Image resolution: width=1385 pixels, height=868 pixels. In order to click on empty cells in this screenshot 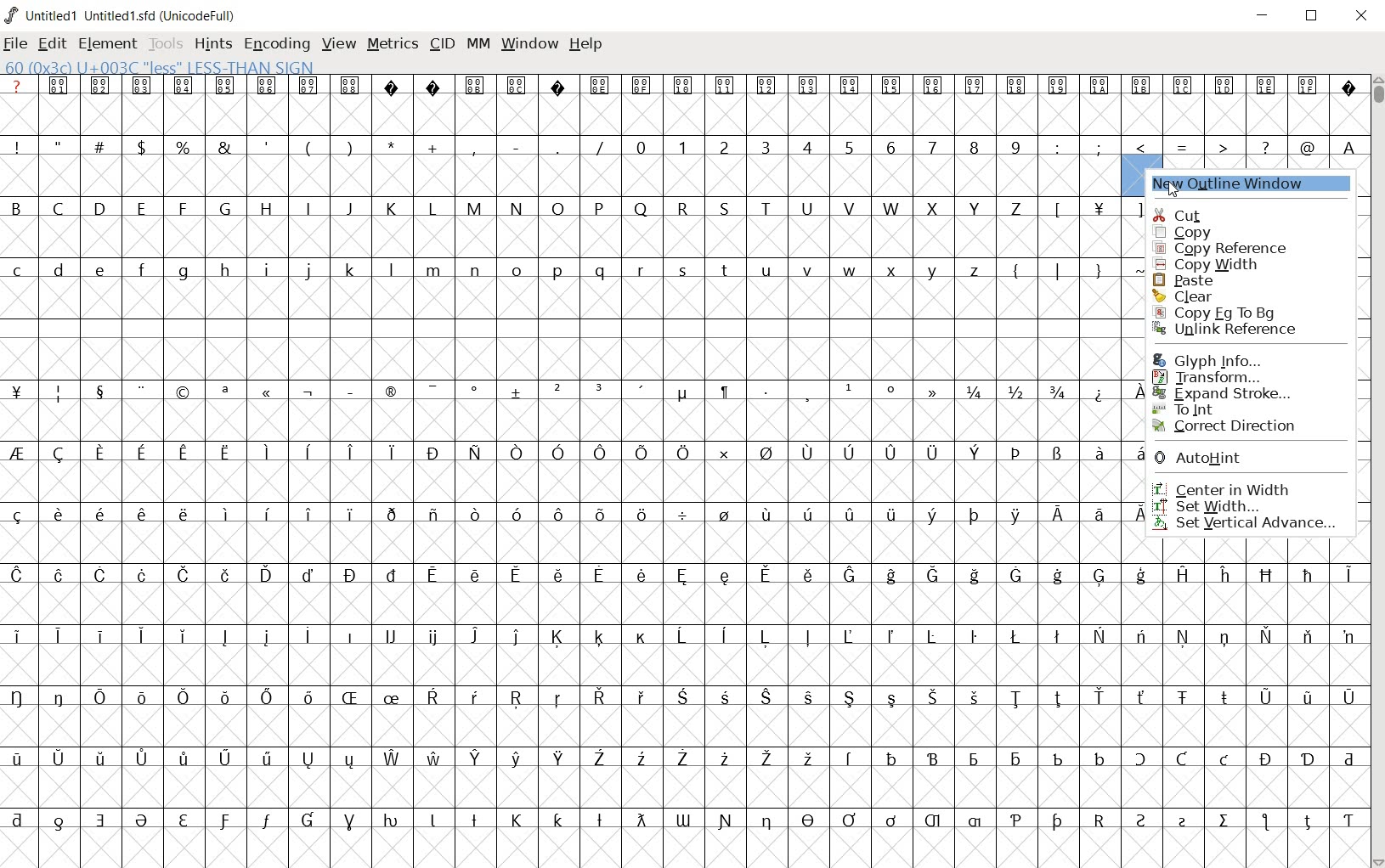, I will do `click(682, 604)`.